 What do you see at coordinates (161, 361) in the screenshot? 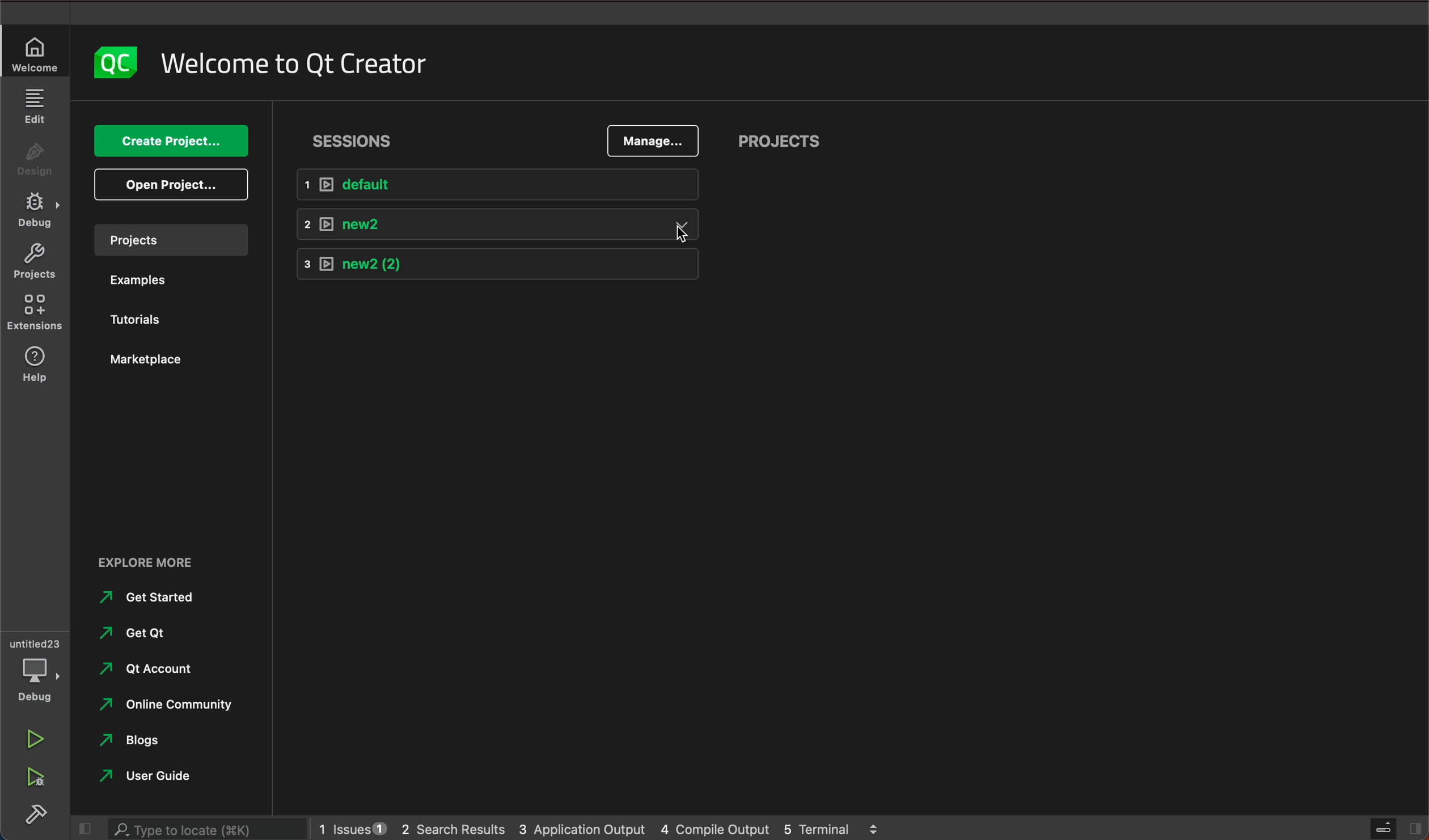
I see `marketplace` at bounding box center [161, 361].